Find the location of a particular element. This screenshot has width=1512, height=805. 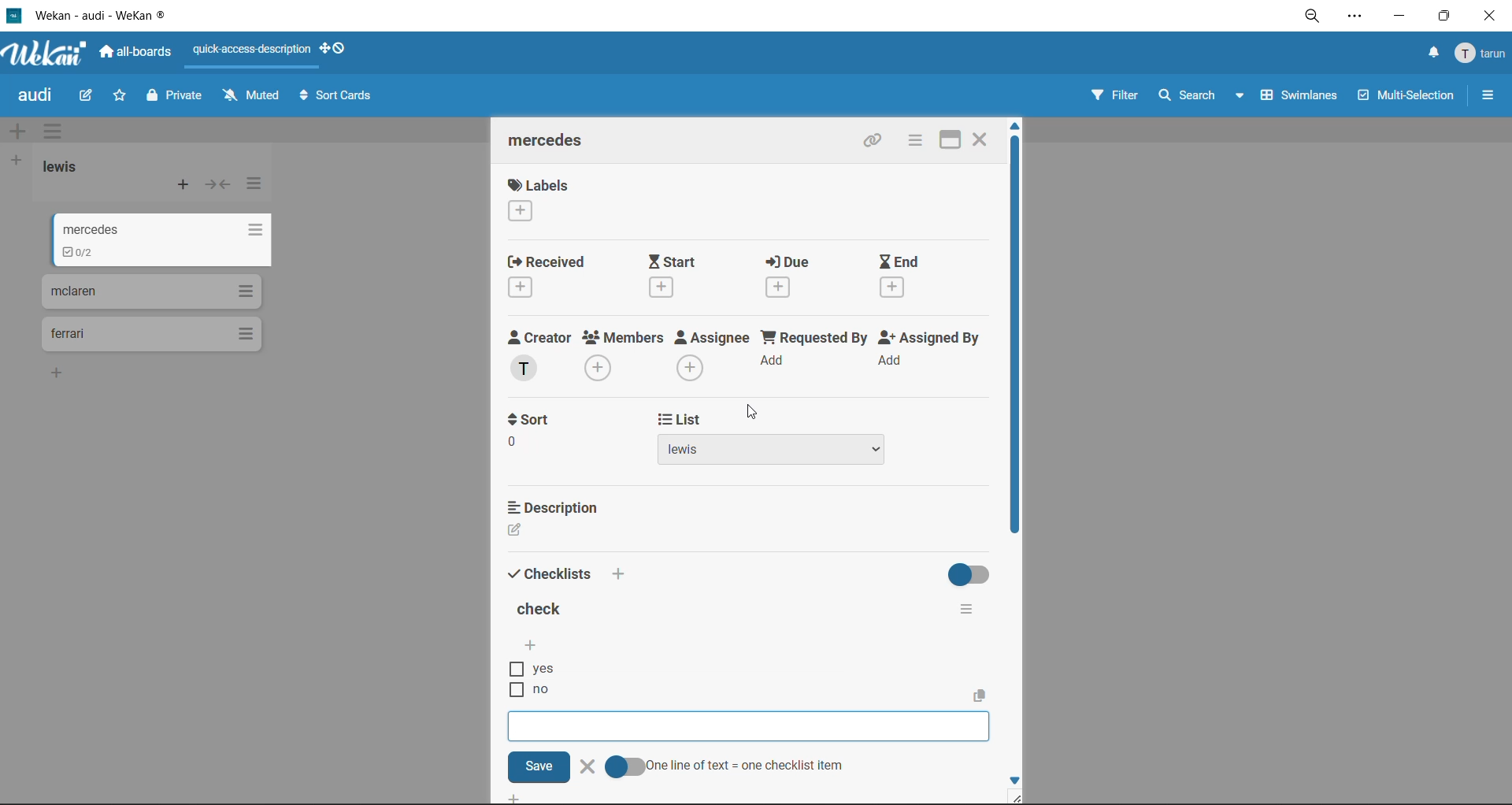

checklists is located at coordinates (550, 572).